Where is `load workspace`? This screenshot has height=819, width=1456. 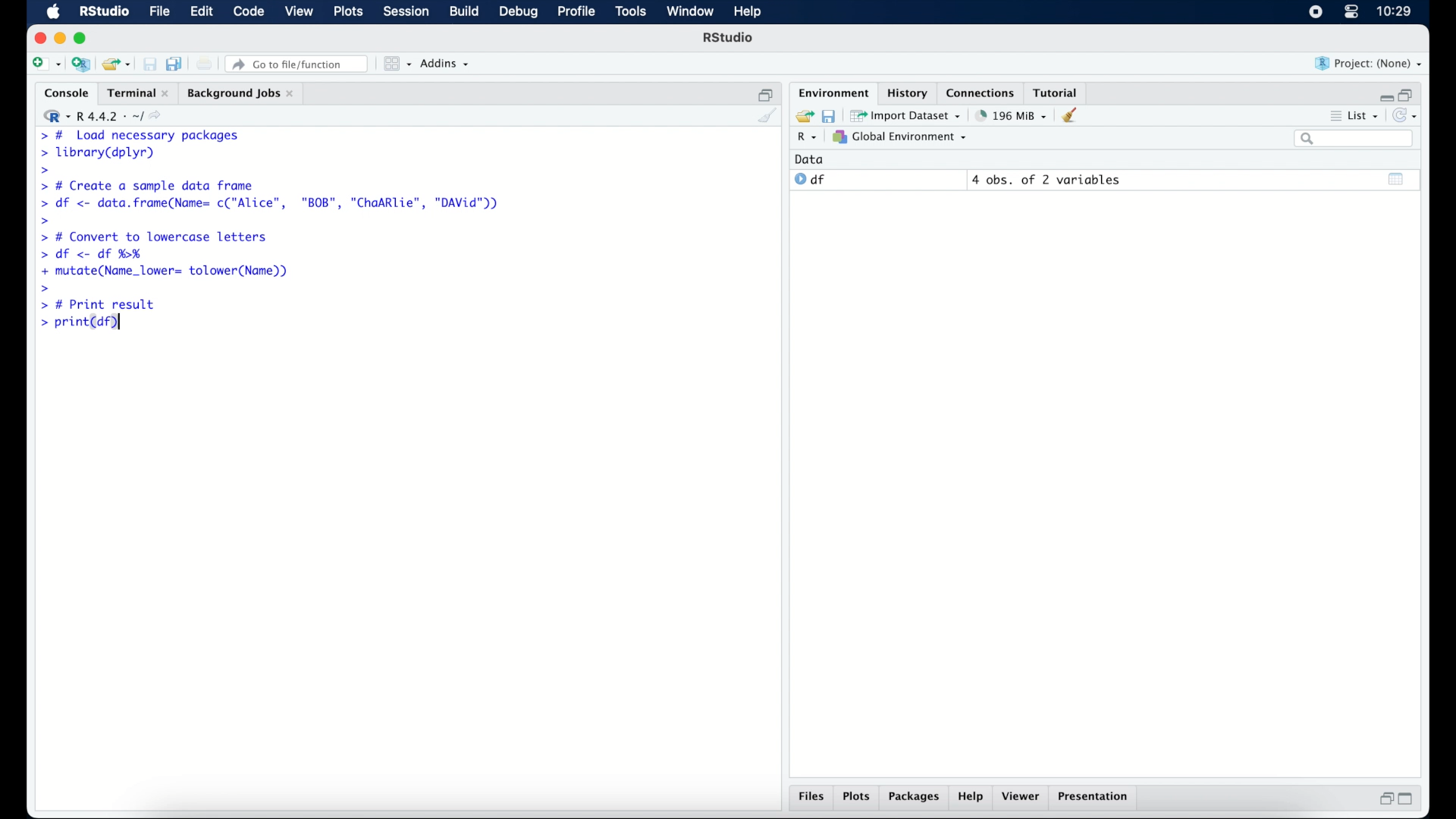
load workspace is located at coordinates (802, 115).